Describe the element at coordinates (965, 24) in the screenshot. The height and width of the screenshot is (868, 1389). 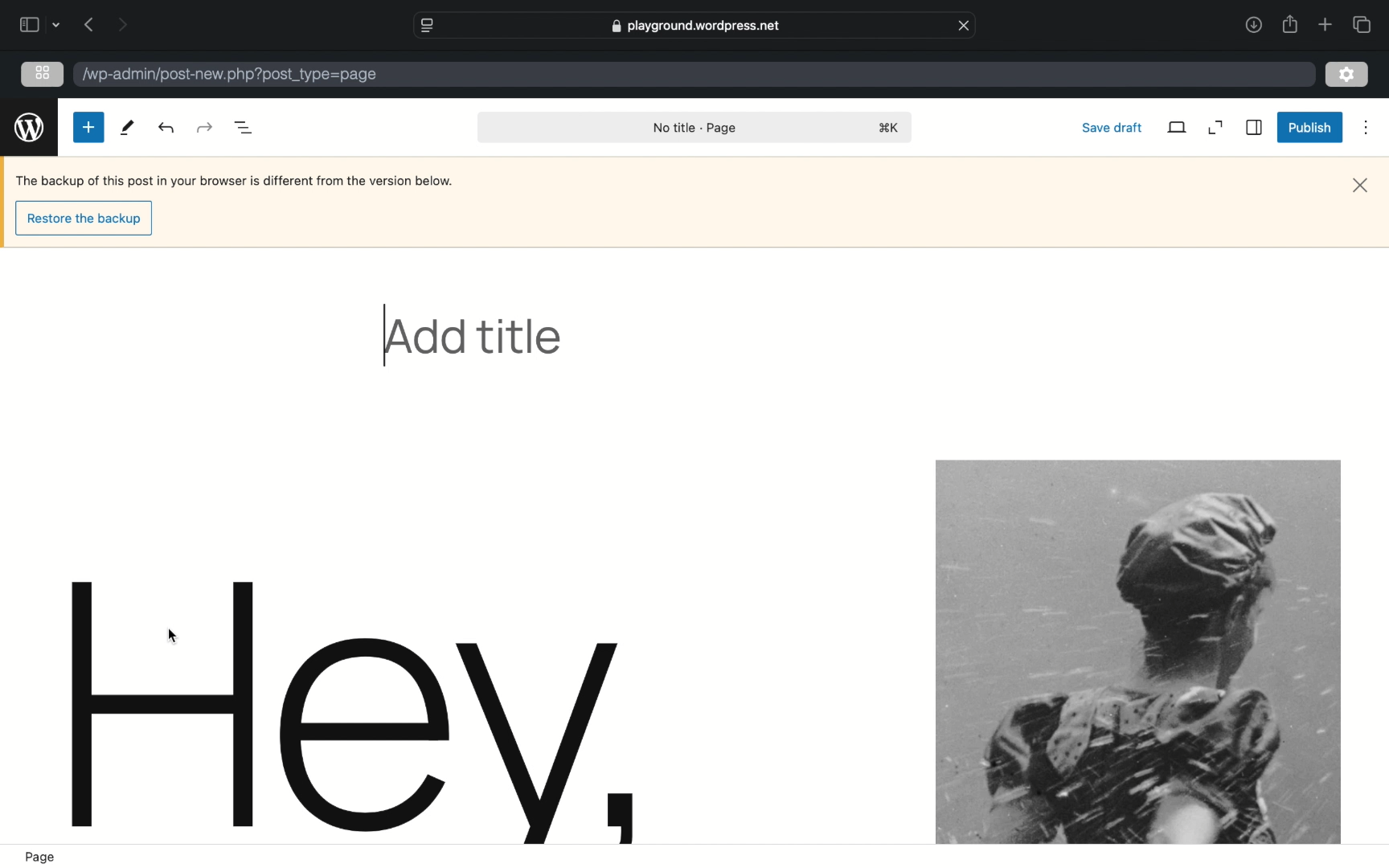
I see `close` at that location.